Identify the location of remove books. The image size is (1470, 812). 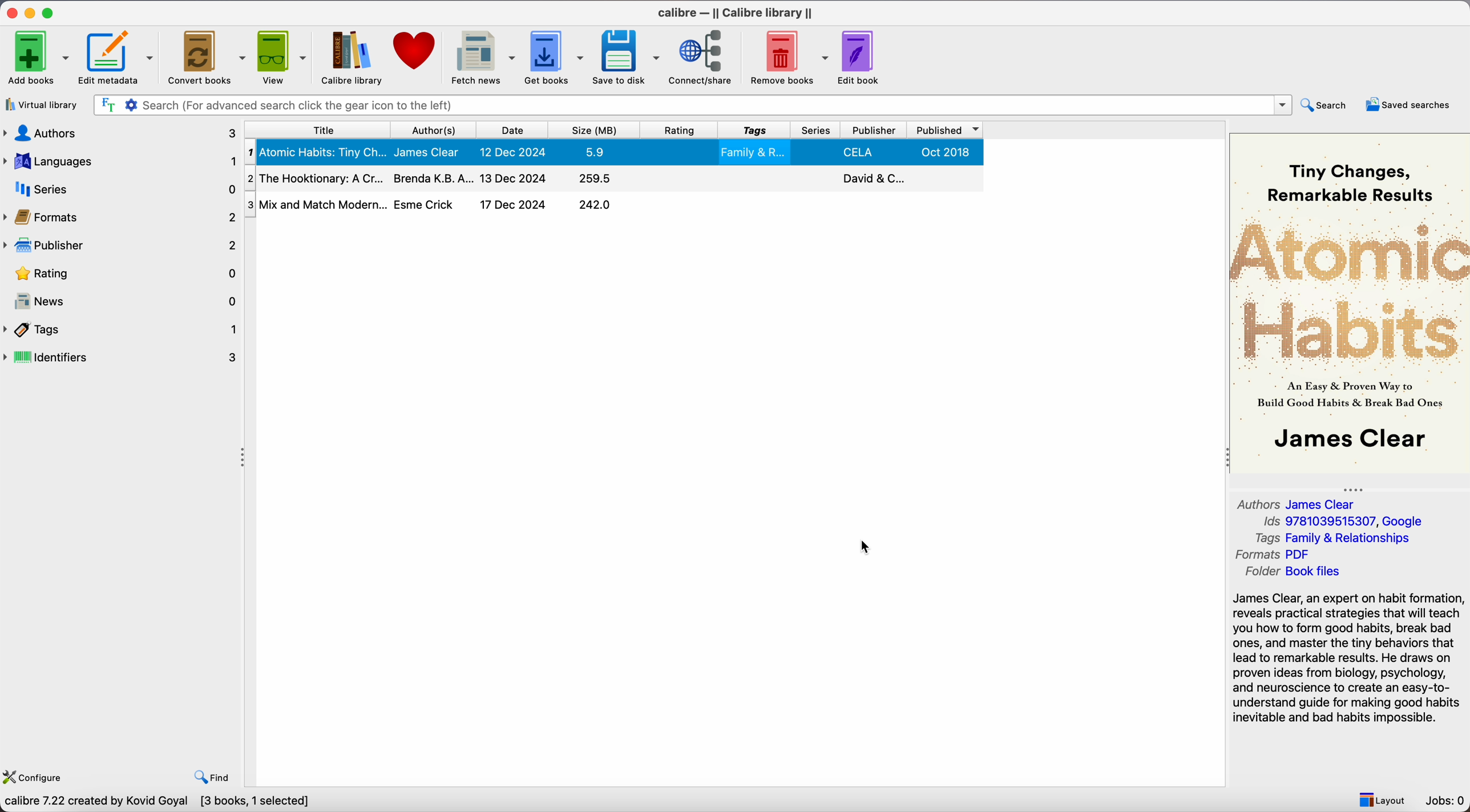
(780, 56).